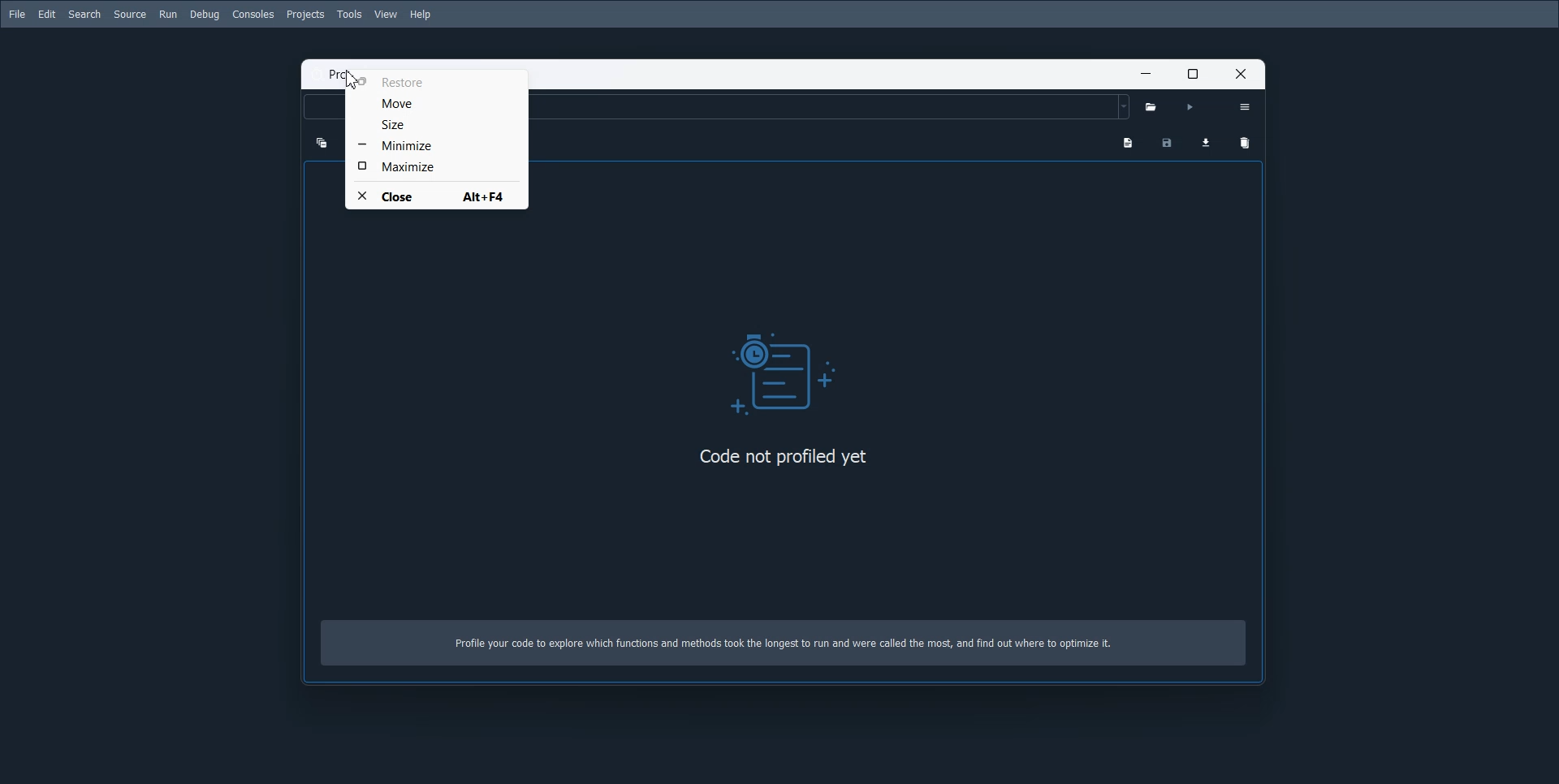 This screenshot has height=784, width=1559. Describe the element at coordinates (205, 15) in the screenshot. I see `Debug` at that location.